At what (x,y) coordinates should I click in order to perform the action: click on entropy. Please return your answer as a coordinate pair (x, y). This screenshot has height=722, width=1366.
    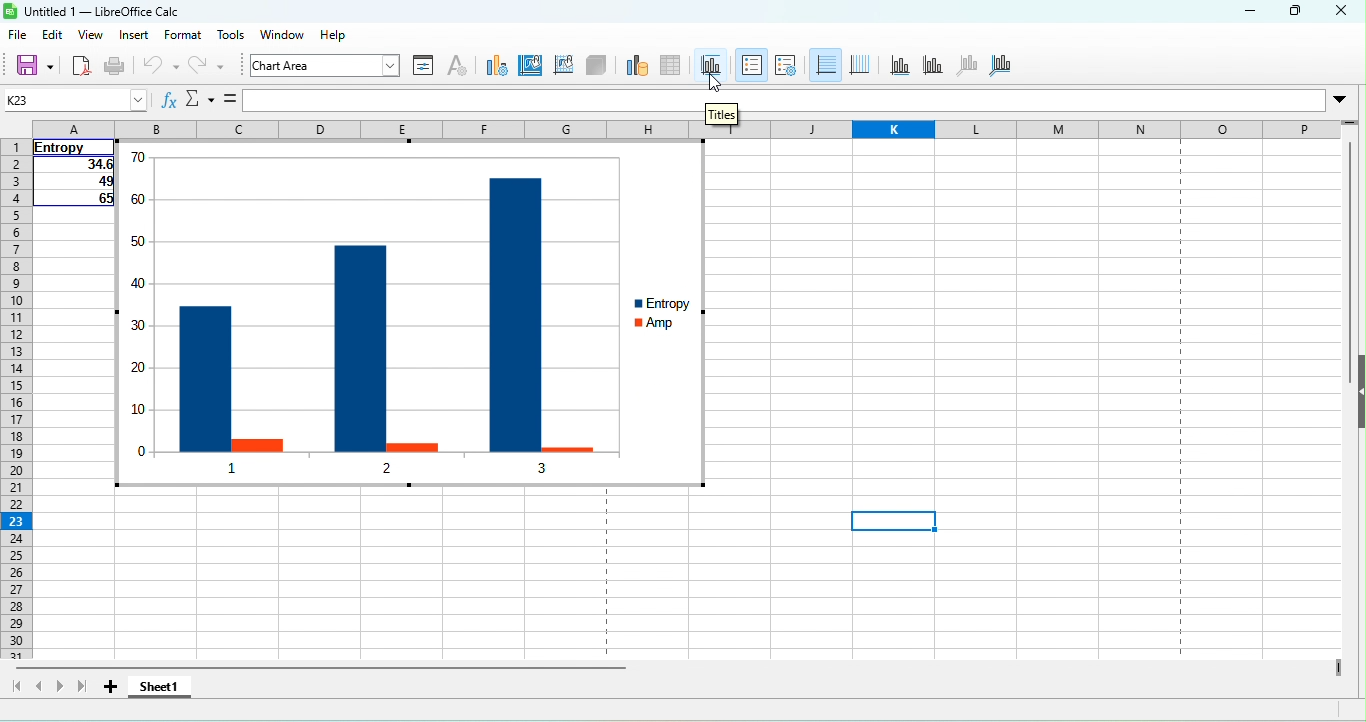
    Looking at the image, I should click on (671, 301).